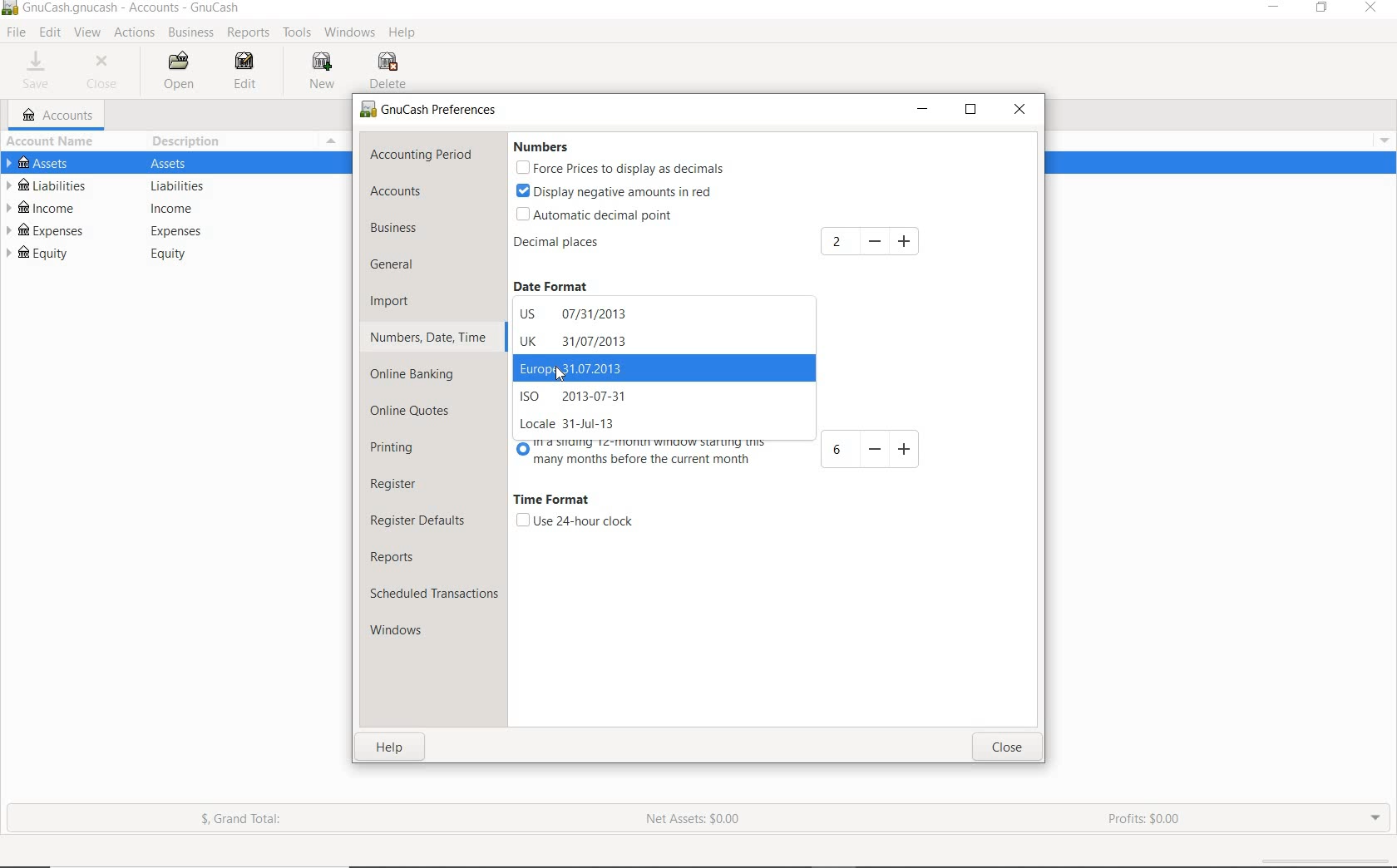  What do you see at coordinates (403, 632) in the screenshot?
I see `windows` at bounding box center [403, 632].